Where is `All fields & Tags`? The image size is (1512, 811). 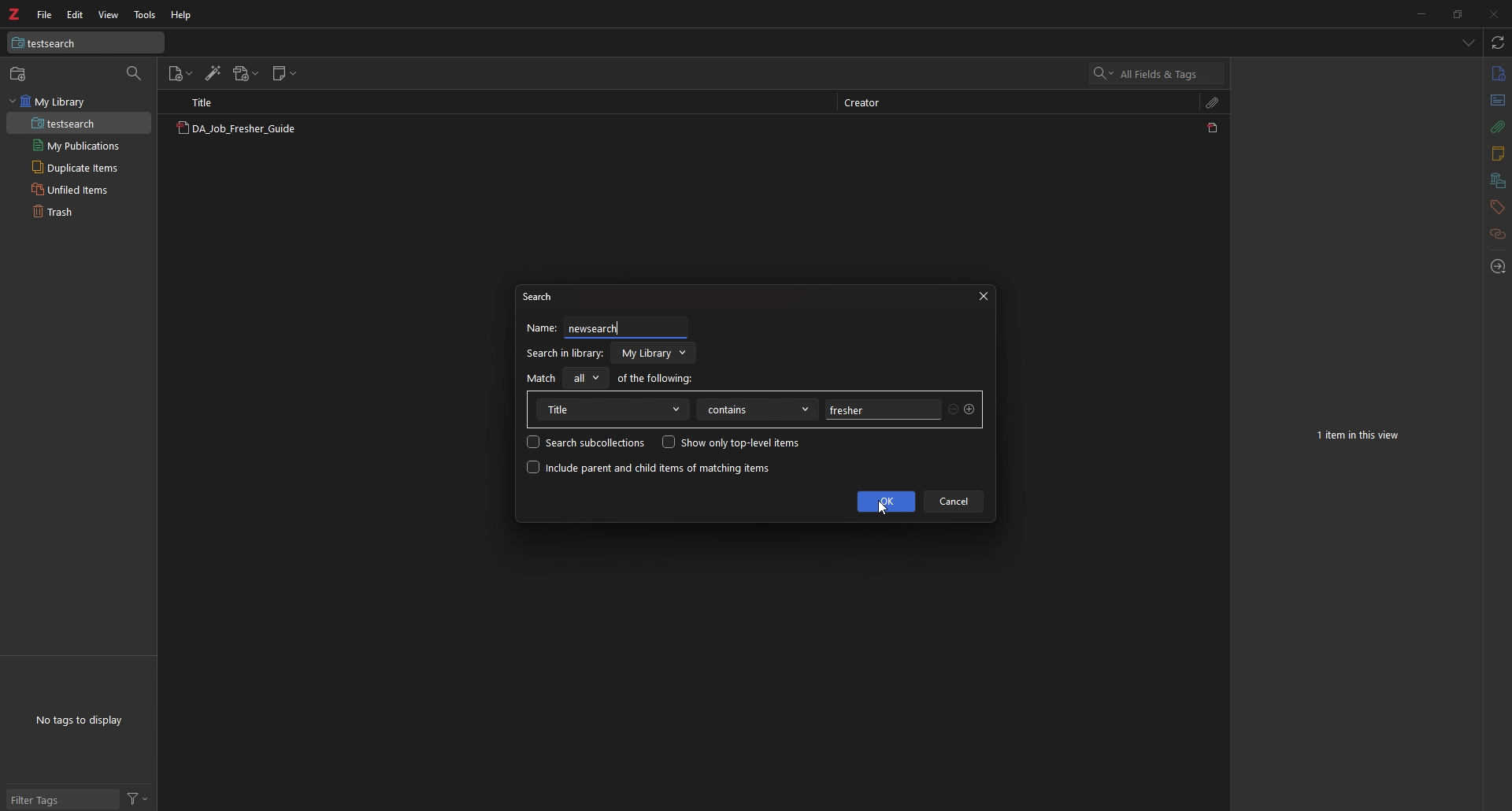
All fields & Tags is located at coordinates (1158, 73).